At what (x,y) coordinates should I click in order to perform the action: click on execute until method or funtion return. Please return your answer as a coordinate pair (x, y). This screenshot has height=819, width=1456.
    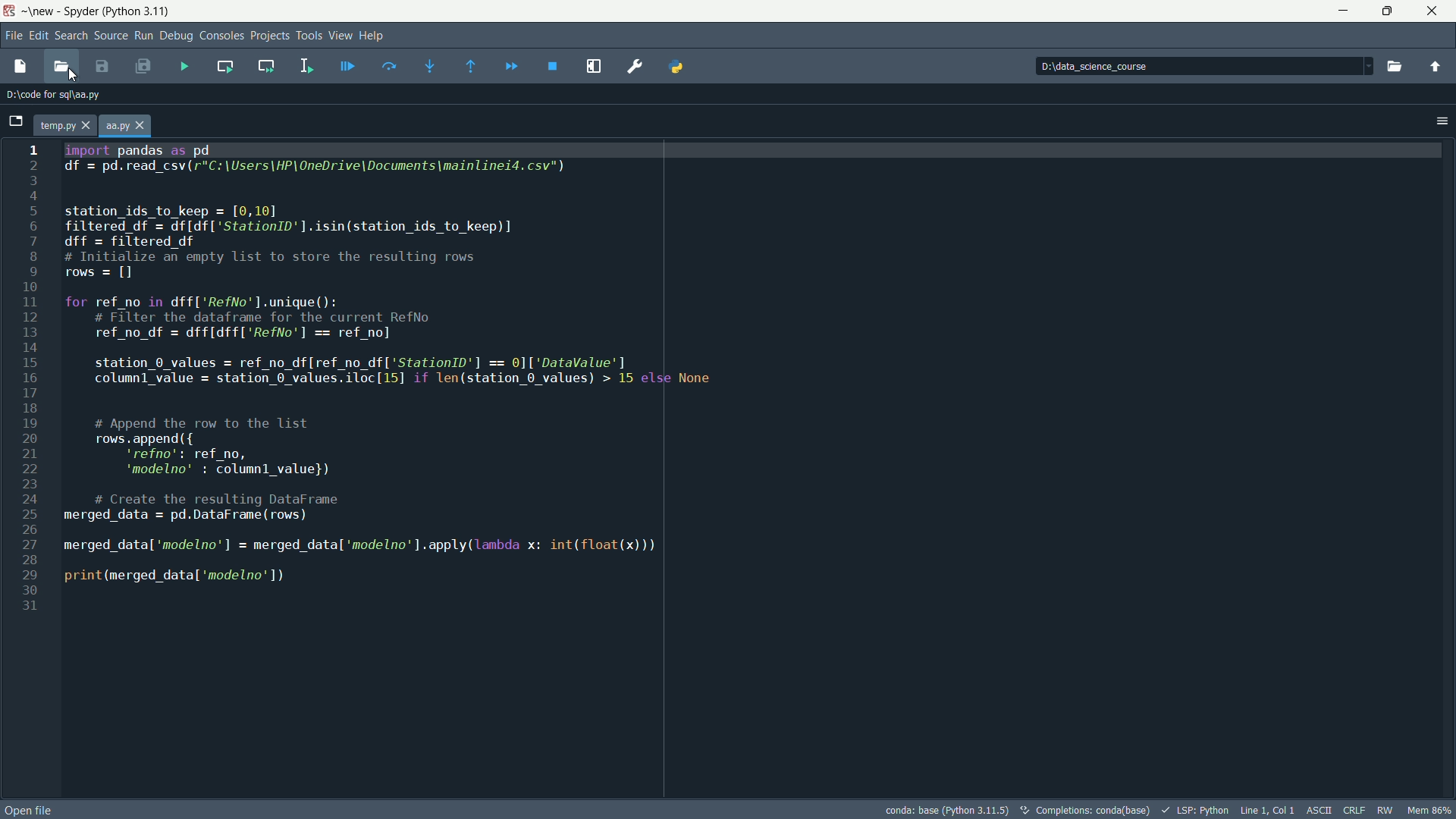
    Looking at the image, I should click on (467, 67).